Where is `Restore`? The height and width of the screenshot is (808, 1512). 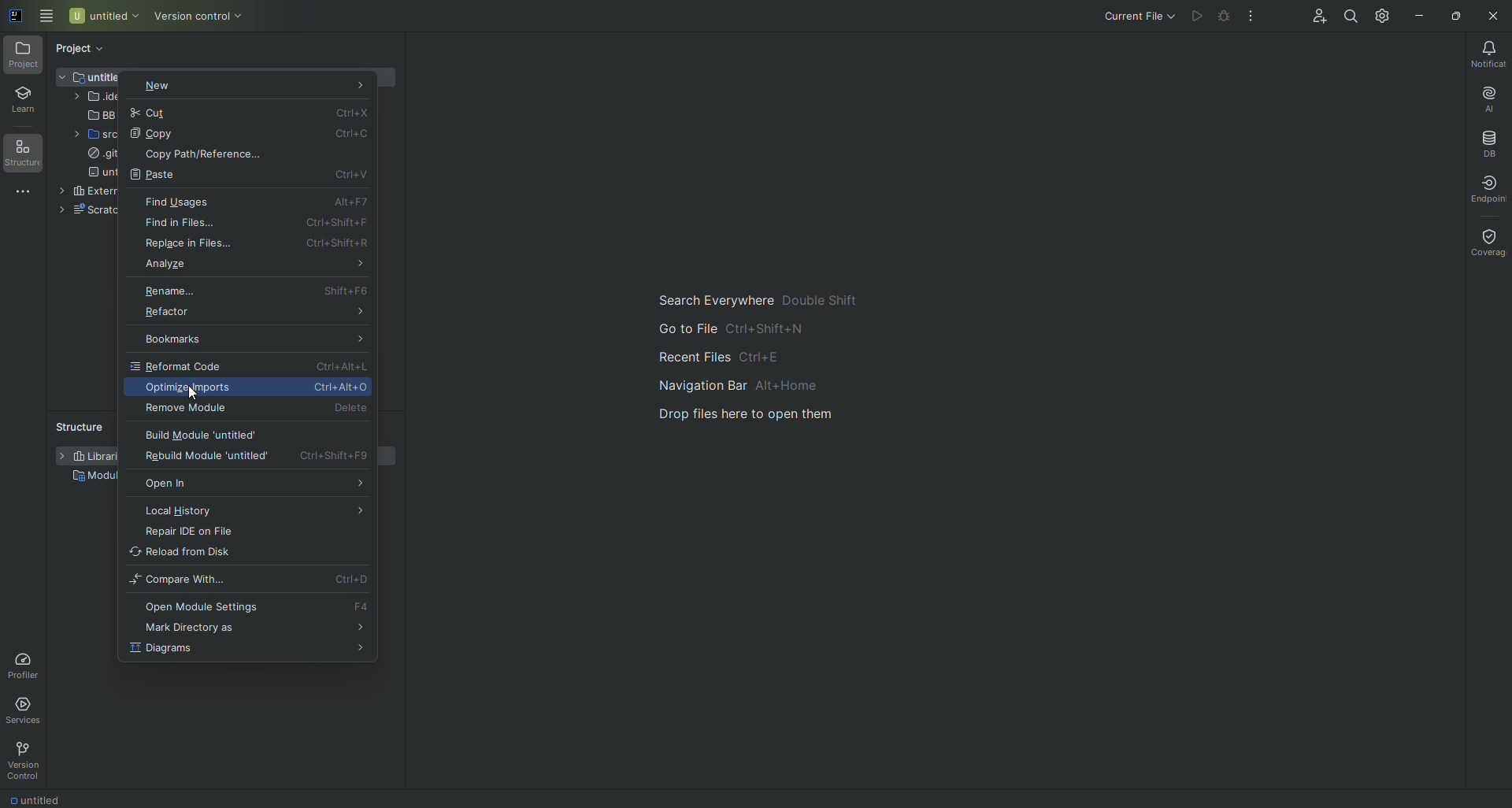
Restore is located at coordinates (1452, 14).